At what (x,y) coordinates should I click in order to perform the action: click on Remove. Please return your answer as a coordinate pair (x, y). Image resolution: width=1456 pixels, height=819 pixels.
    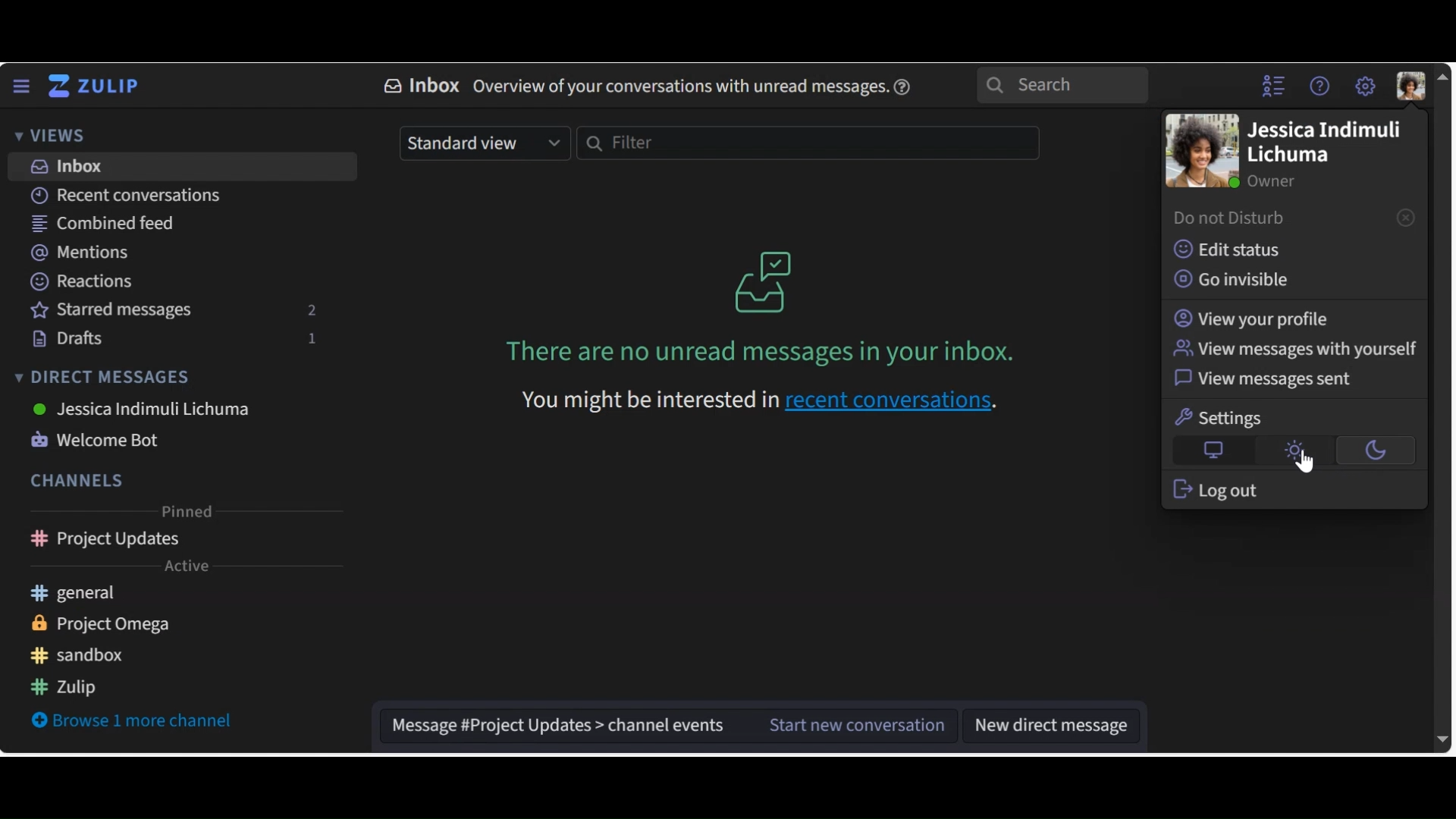
    Looking at the image, I should click on (1405, 217).